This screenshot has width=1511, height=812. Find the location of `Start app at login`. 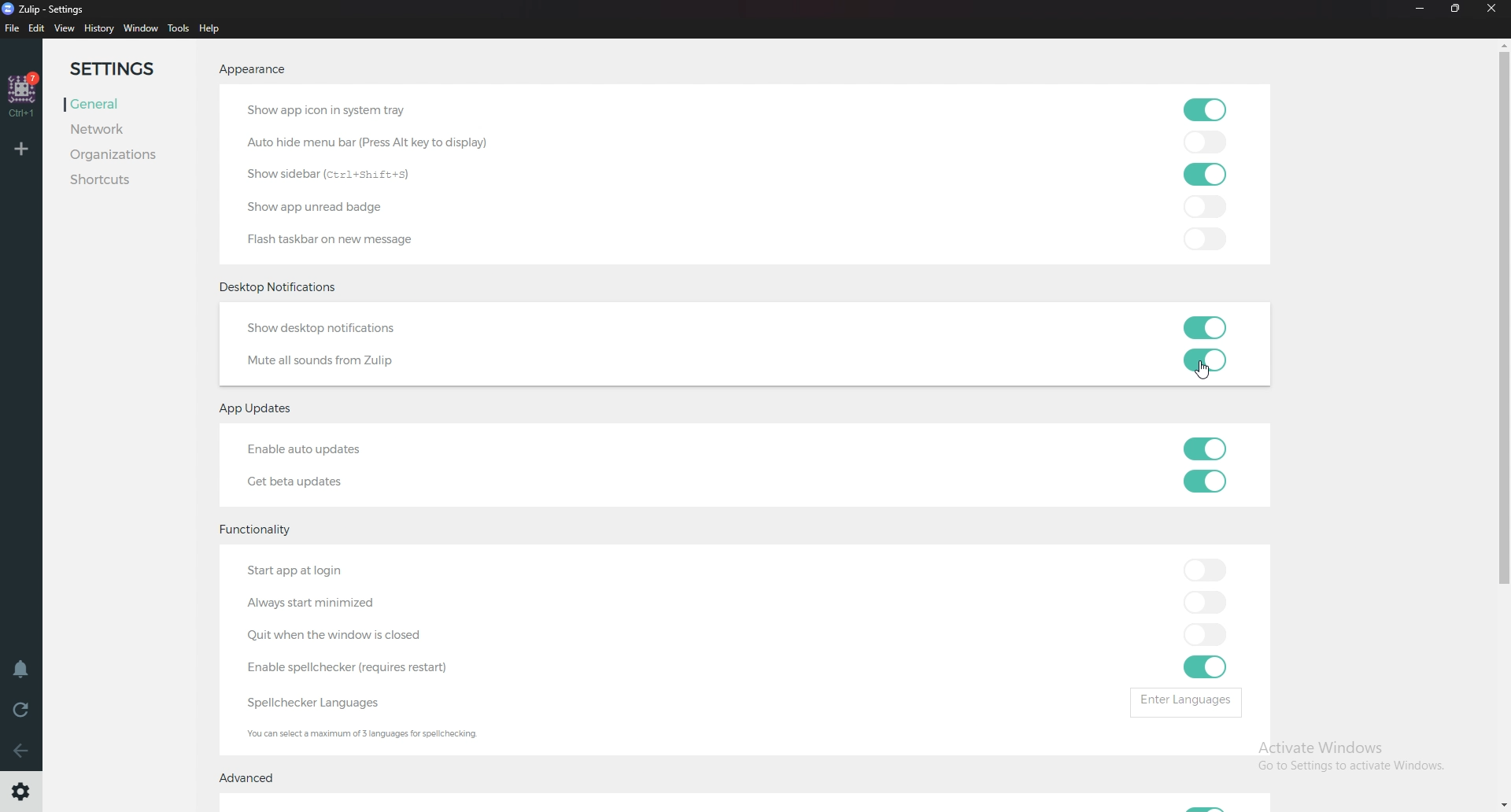

Start app at login is located at coordinates (302, 572).